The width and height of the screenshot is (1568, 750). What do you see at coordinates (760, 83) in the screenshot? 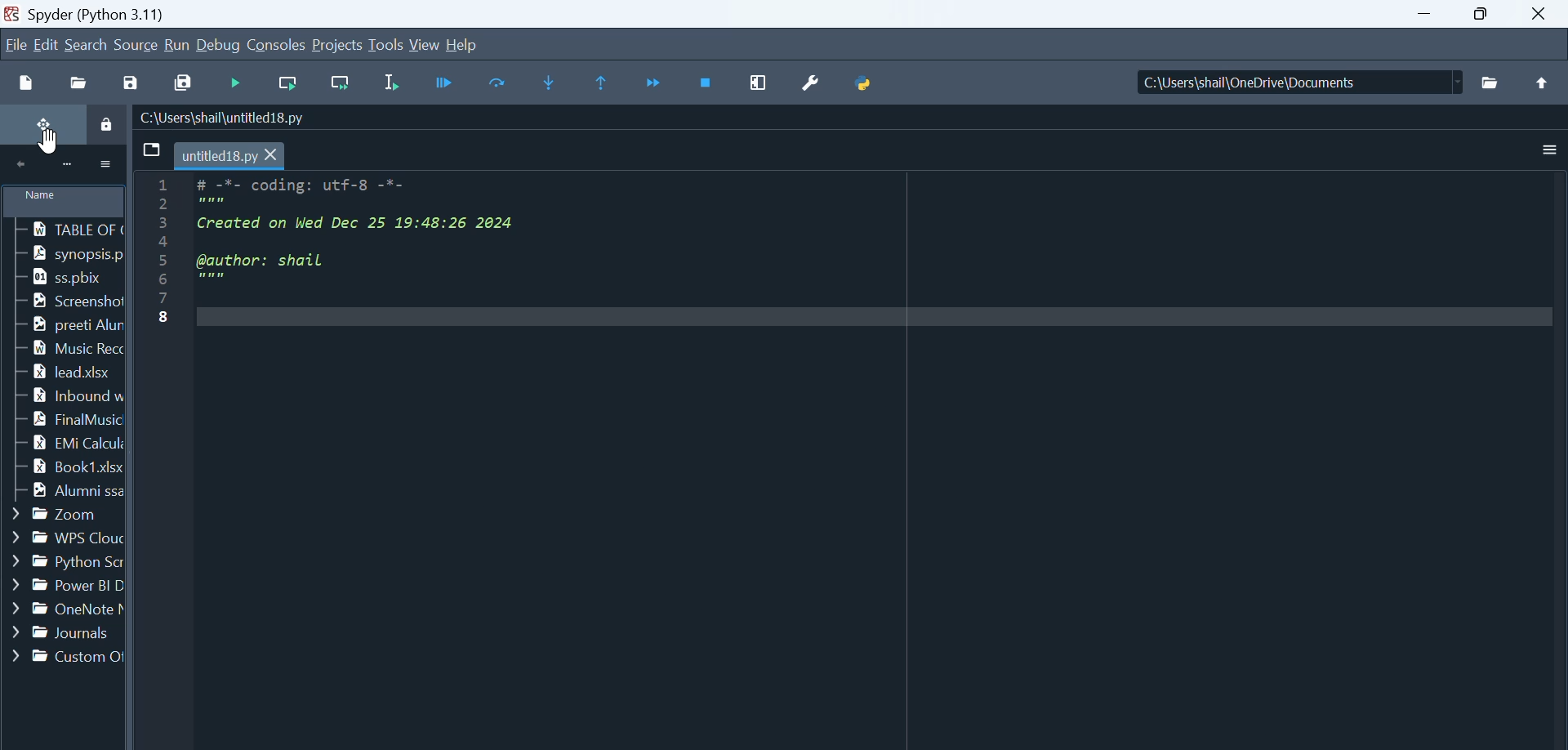
I see `Maximise current window` at bounding box center [760, 83].